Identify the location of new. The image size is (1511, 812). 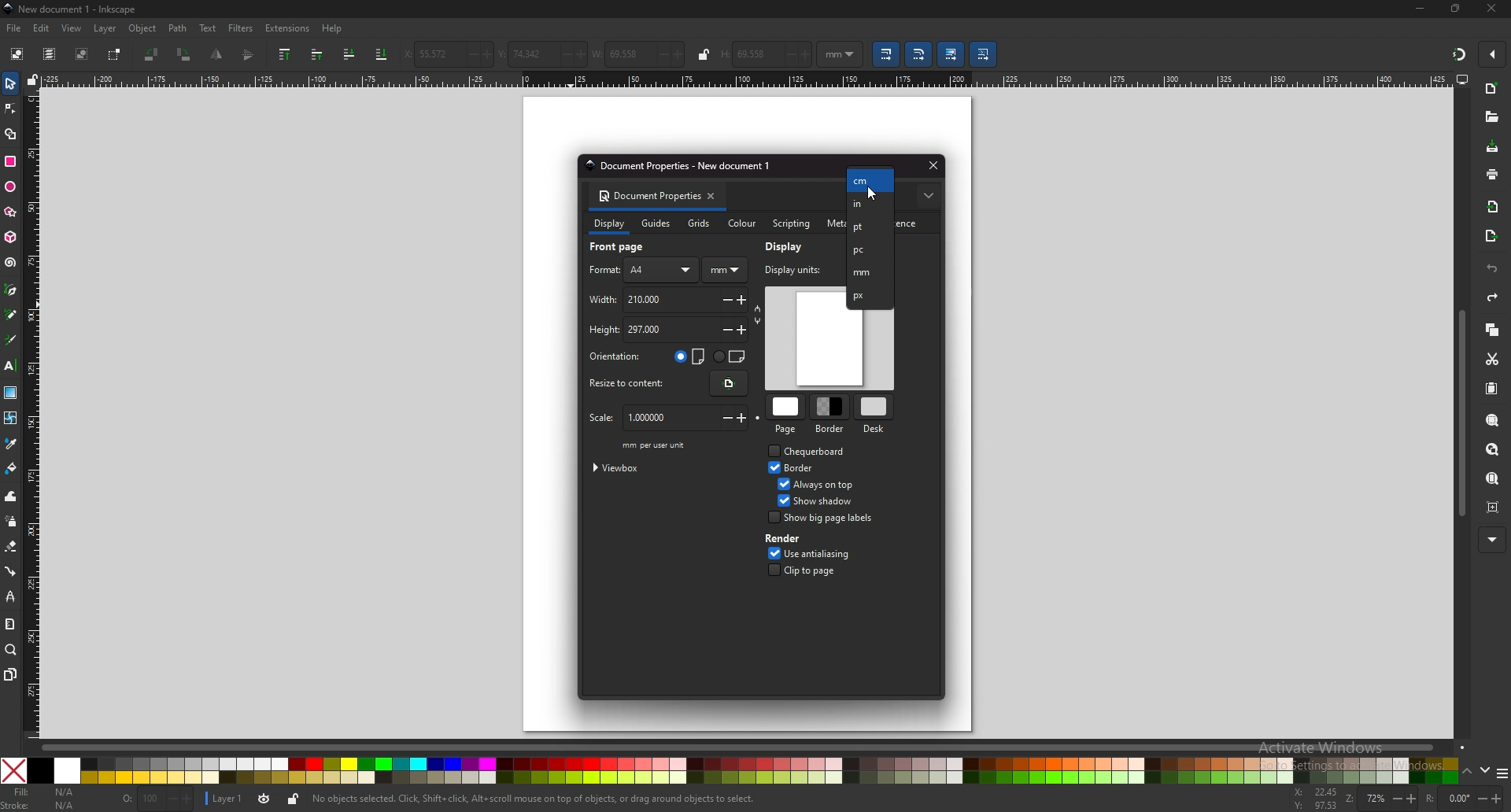
(1492, 89).